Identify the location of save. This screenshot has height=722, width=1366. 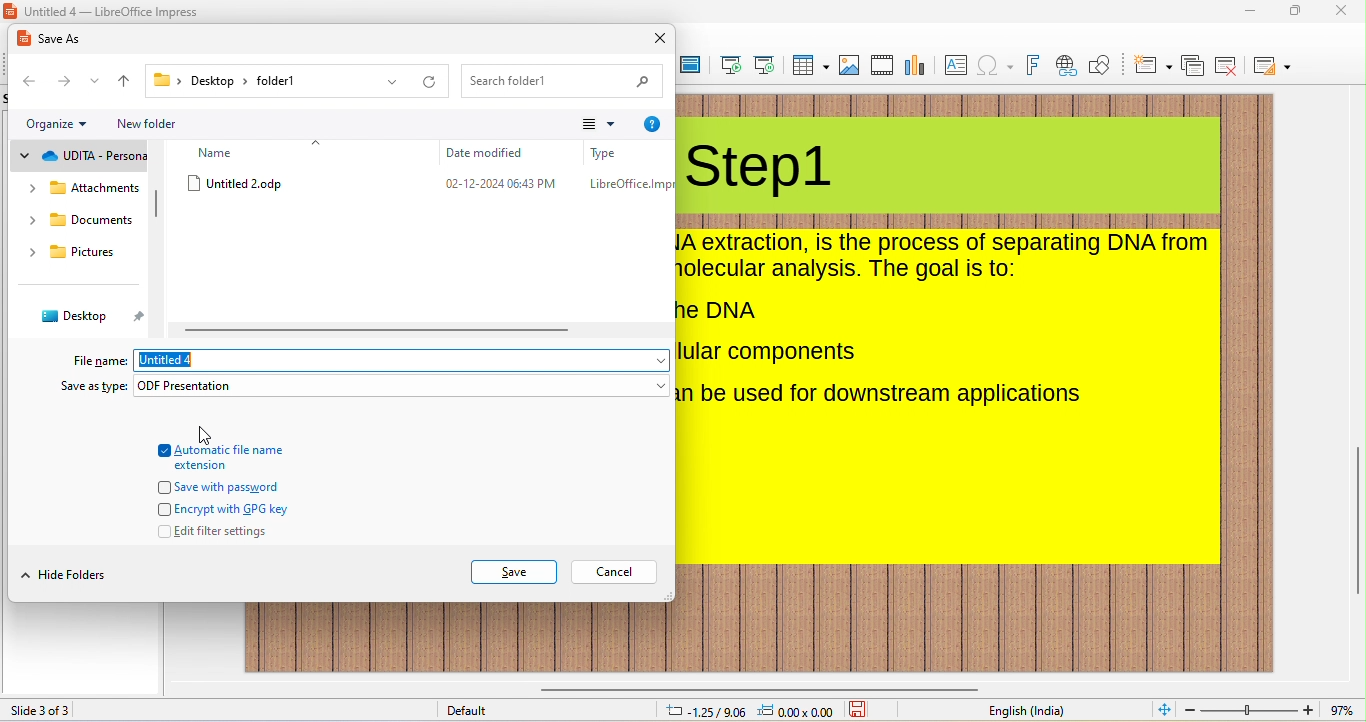
(861, 710).